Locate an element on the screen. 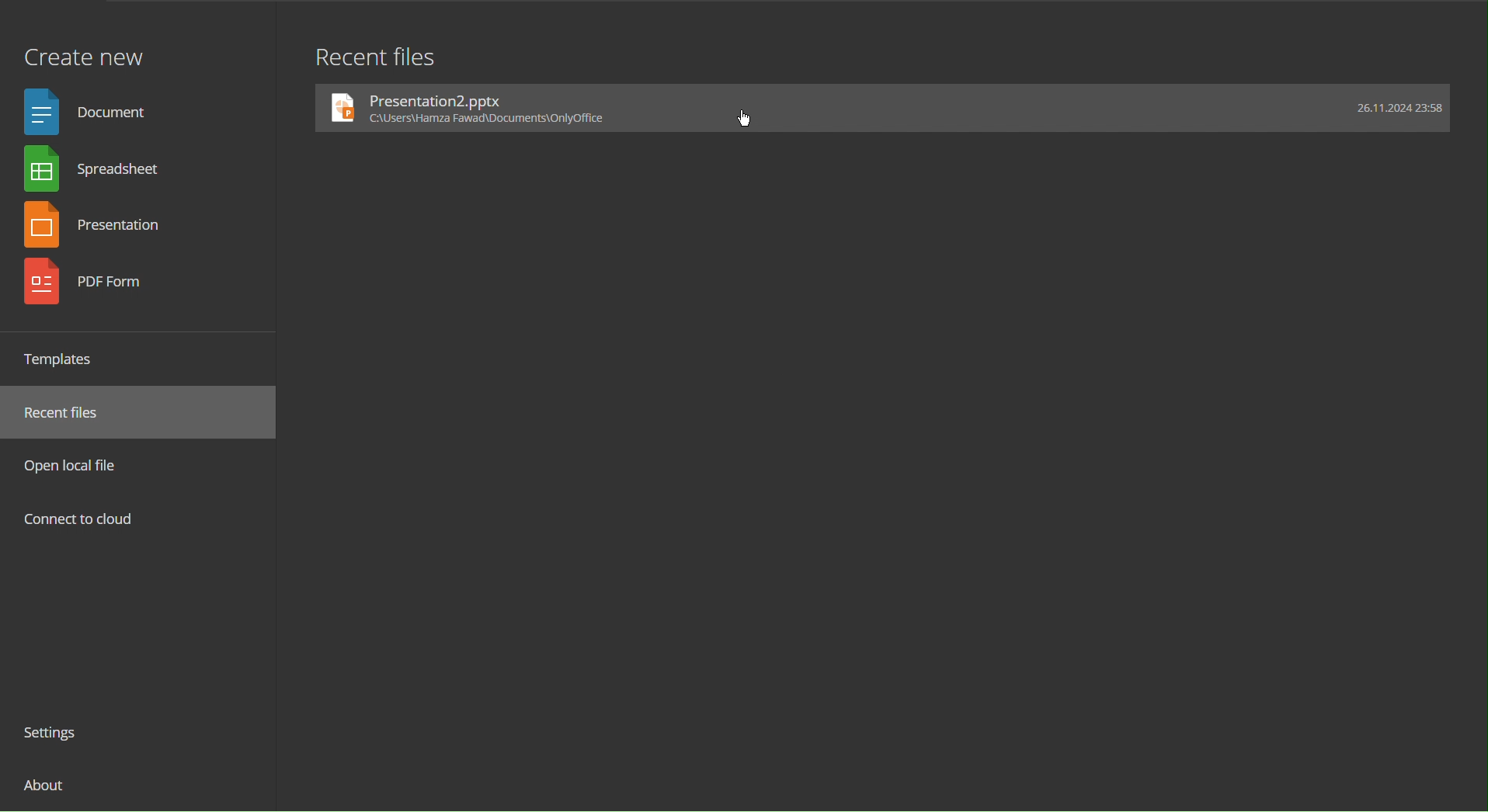  Connect to Cloud is located at coordinates (80, 521).